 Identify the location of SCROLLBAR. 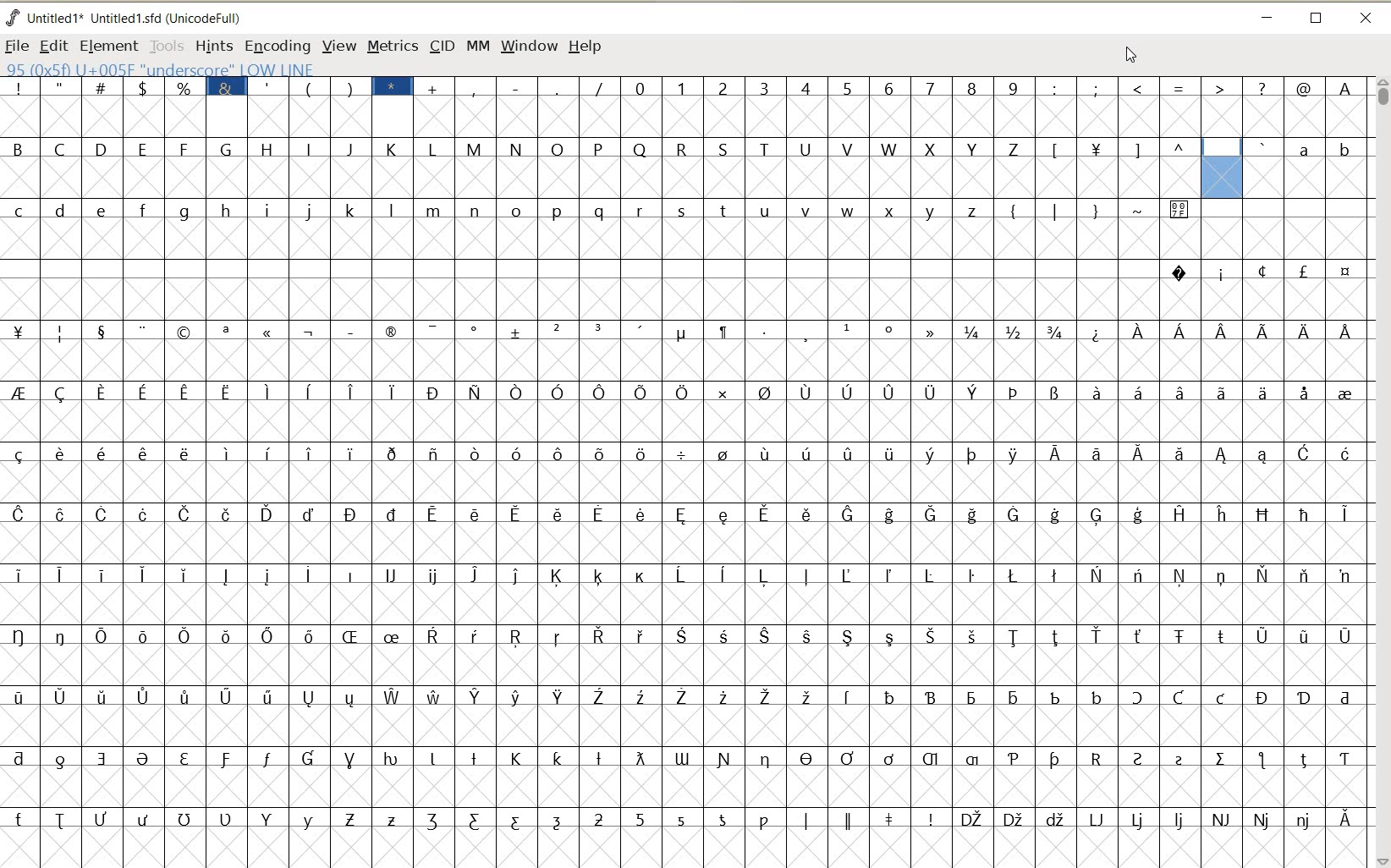
(1381, 472).